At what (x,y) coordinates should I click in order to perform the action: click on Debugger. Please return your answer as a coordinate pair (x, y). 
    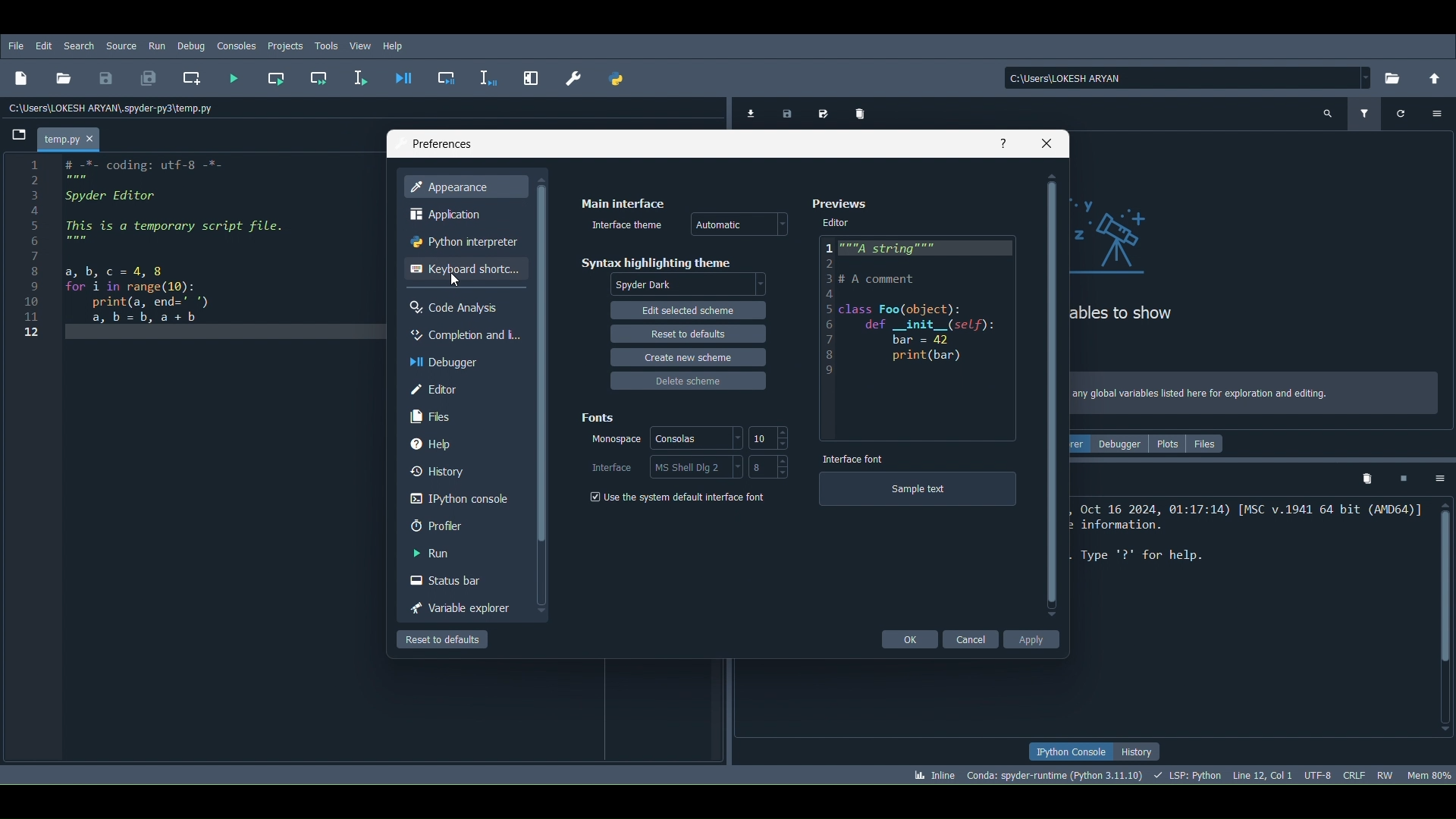
    Looking at the image, I should click on (1125, 444).